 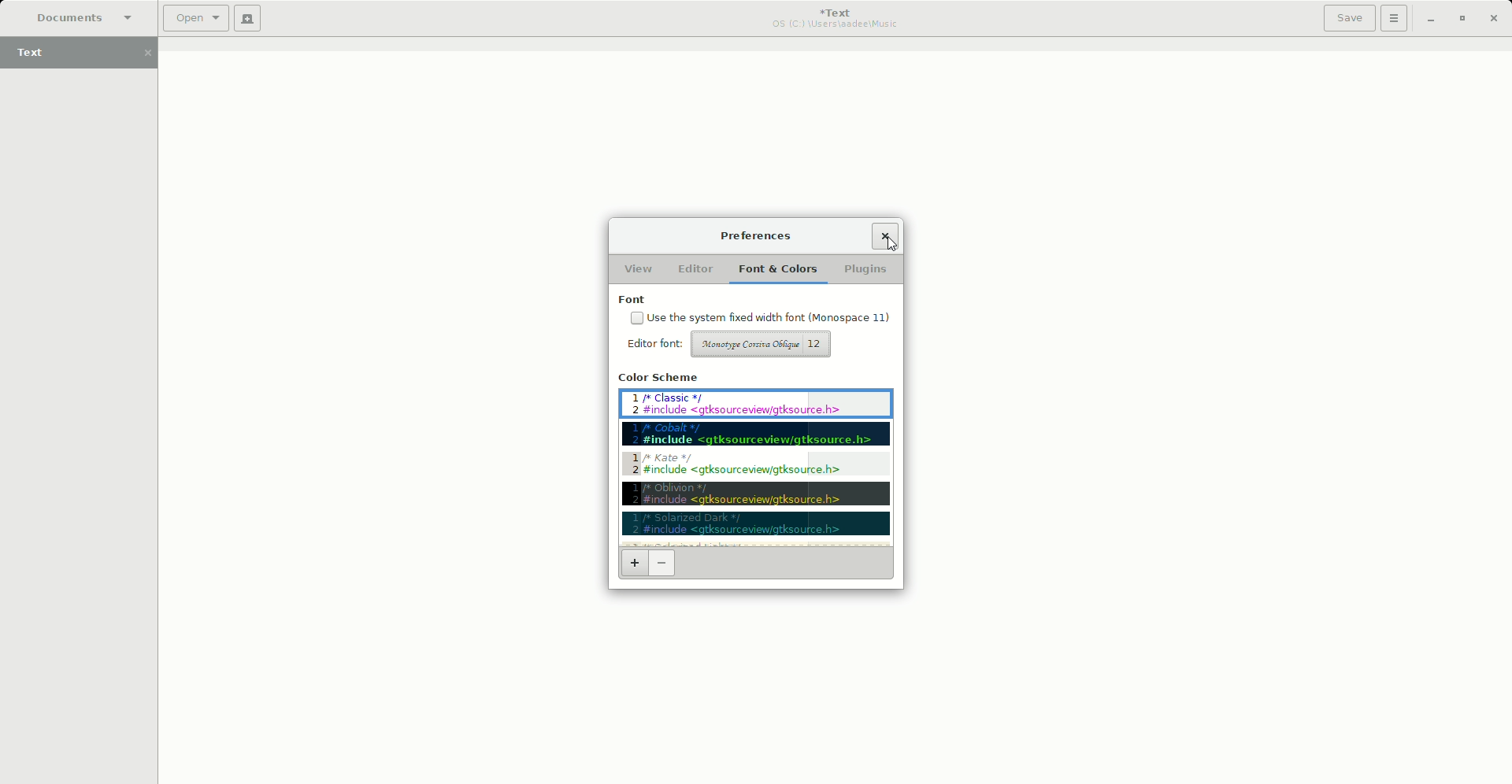 What do you see at coordinates (838, 18) in the screenshot?
I see `Text` at bounding box center [838, 18].